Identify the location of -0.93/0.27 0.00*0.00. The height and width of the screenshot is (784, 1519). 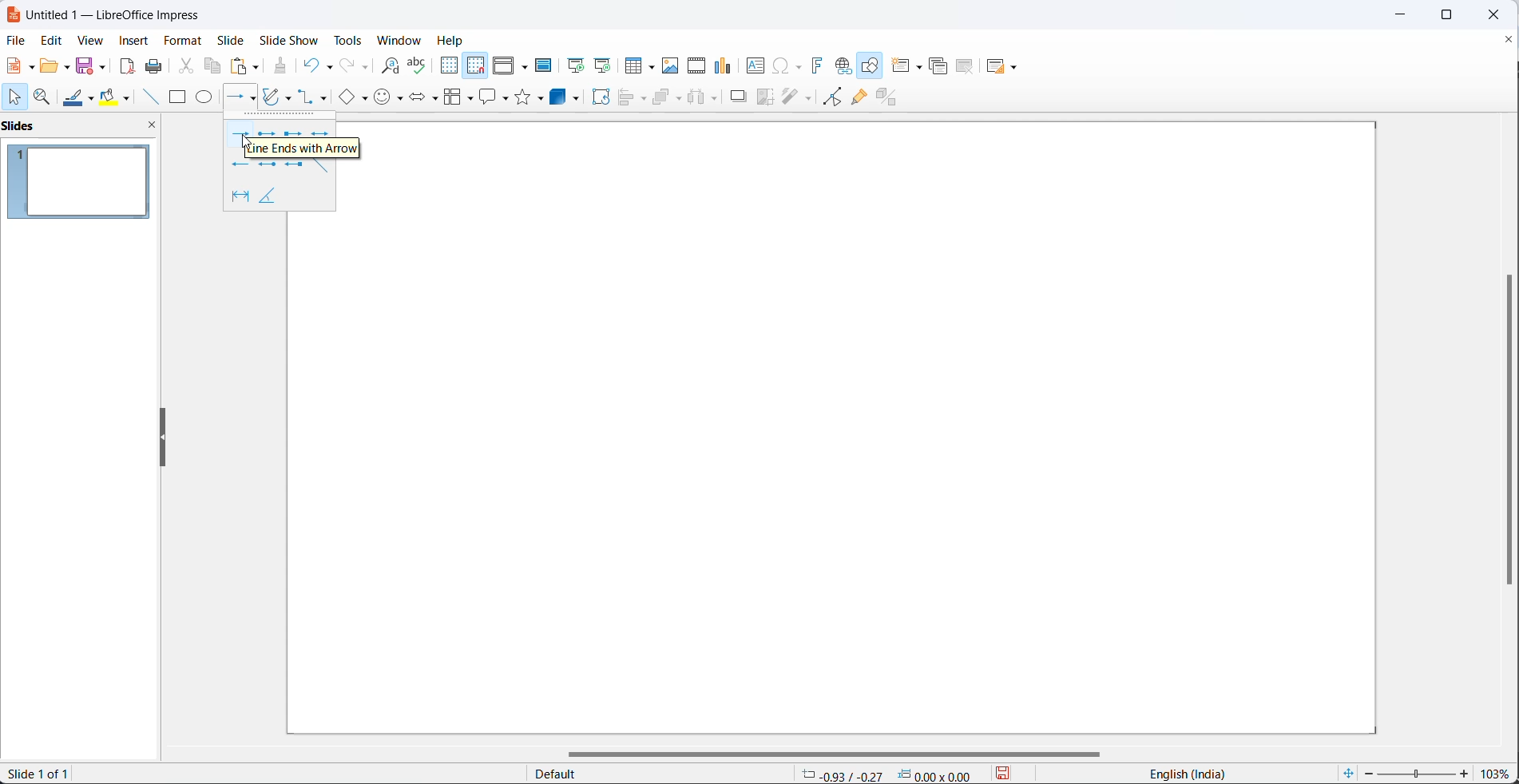
(892, 774).